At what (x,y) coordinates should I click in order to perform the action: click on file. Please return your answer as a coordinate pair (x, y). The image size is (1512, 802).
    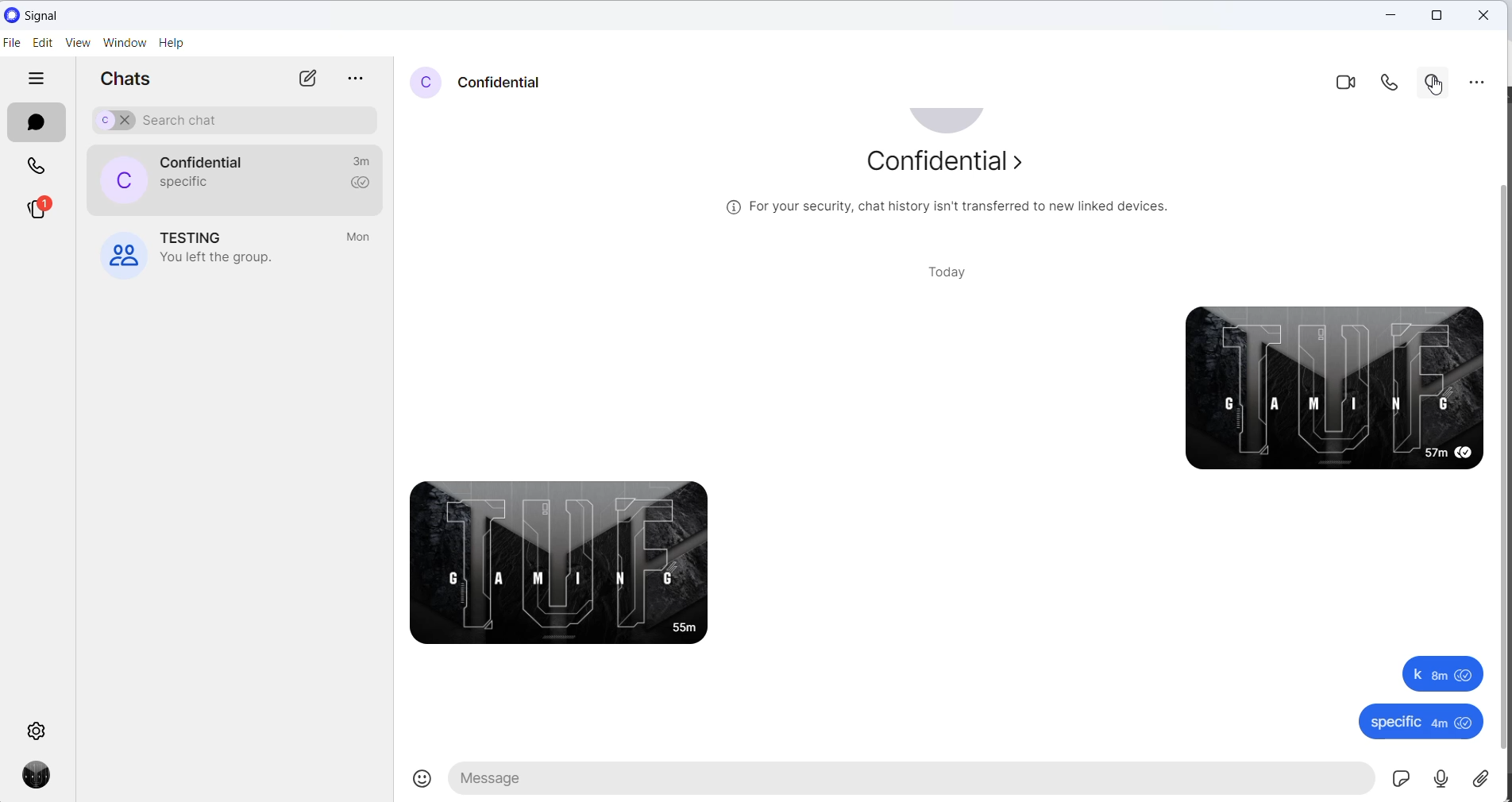
    Looking at the image, I should click on (12, 44).